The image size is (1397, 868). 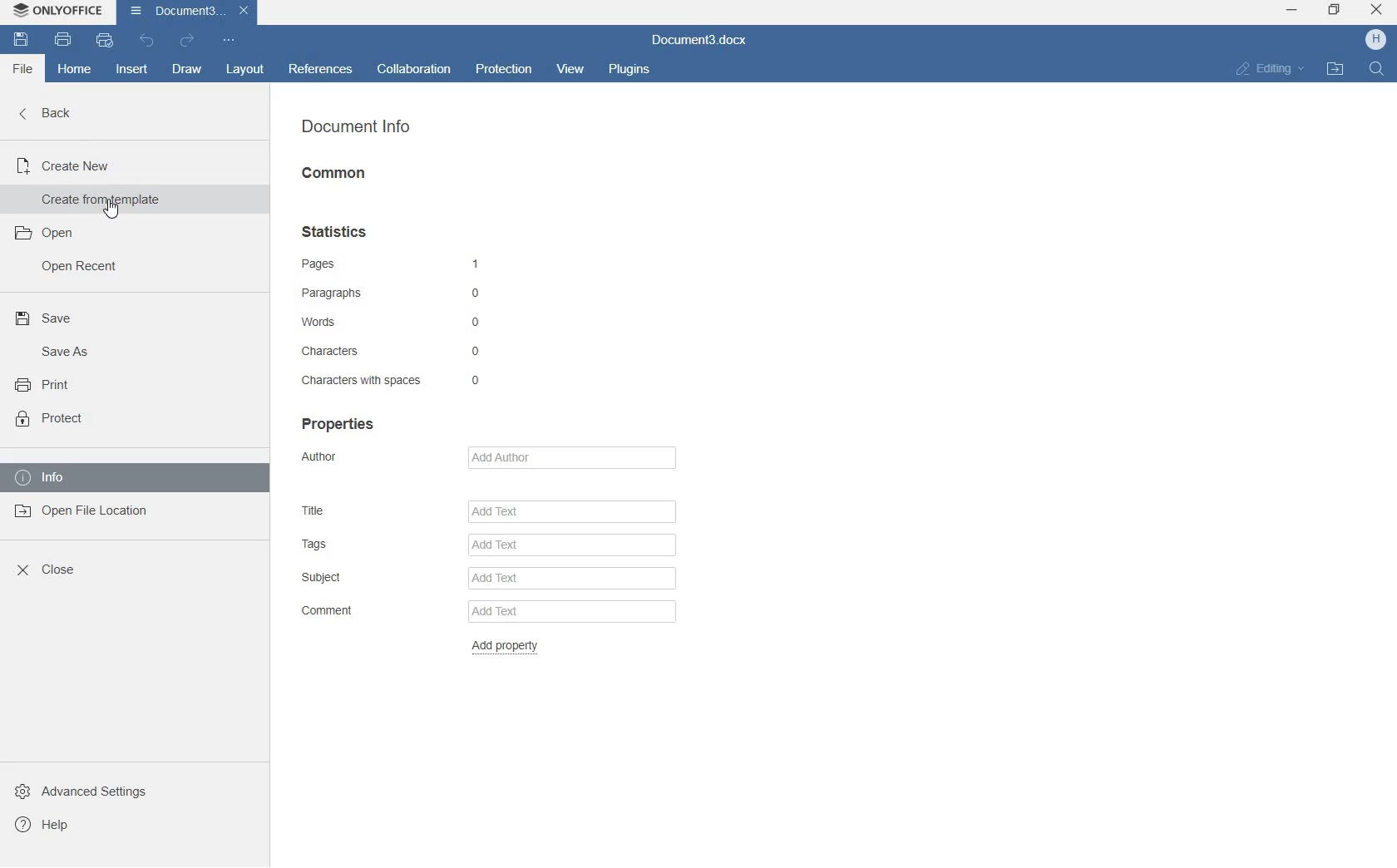 What do you see at coordinates (244, 11) in the screenshot?
I see `close document3` at bounding box center [244, 11].